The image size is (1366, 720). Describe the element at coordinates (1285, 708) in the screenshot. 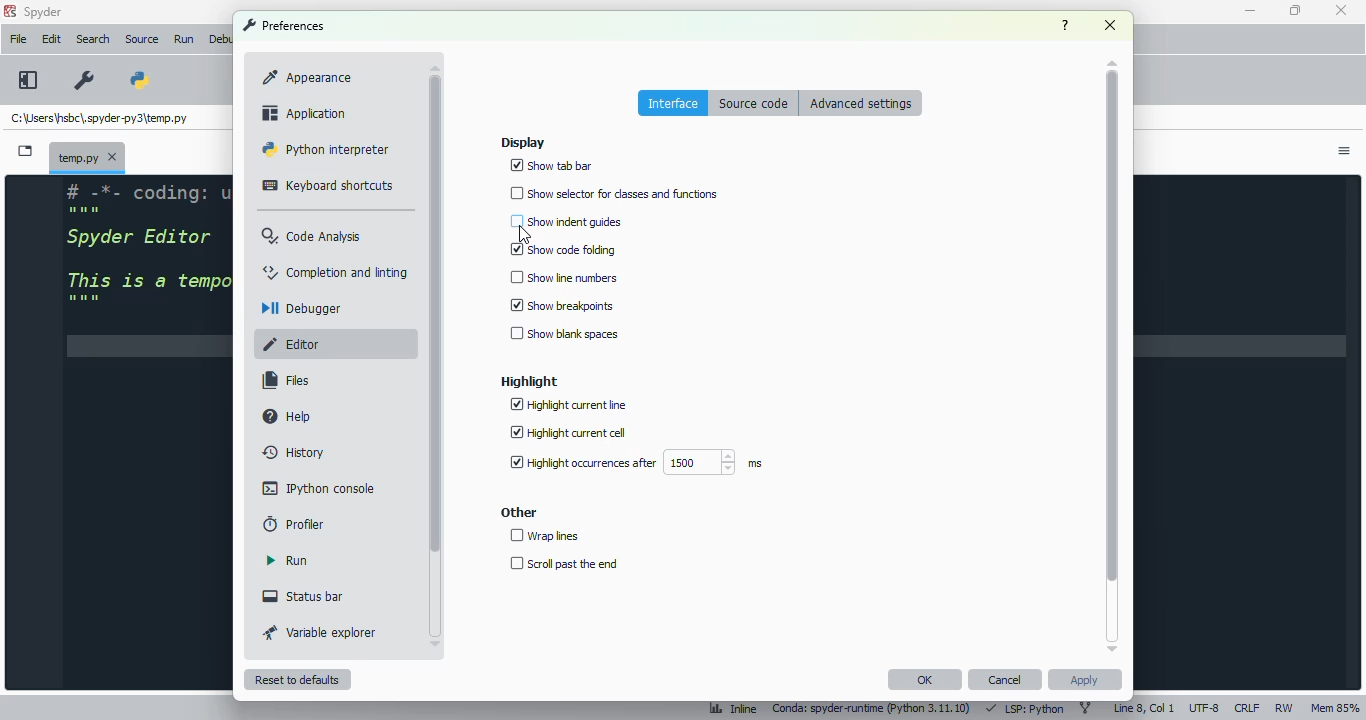

I see `RW` at that location.